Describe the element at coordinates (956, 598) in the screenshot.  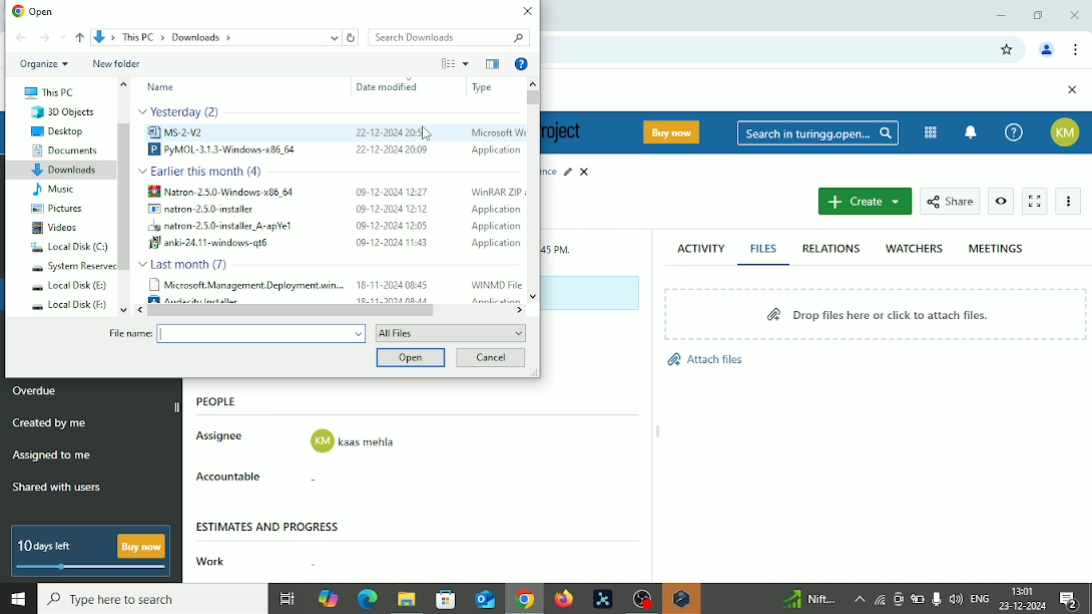
I see `speaker` at that location.